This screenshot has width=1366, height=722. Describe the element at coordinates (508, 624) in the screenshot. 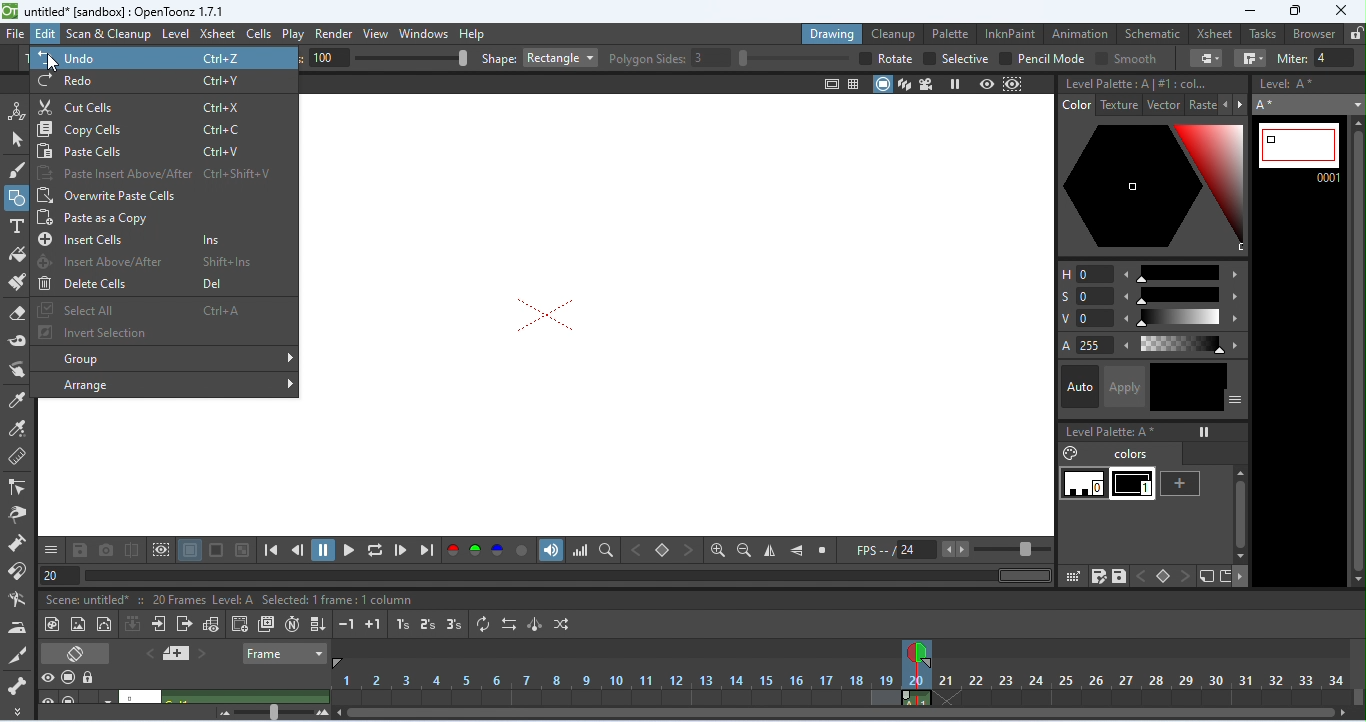

I see `reverse` at that location.